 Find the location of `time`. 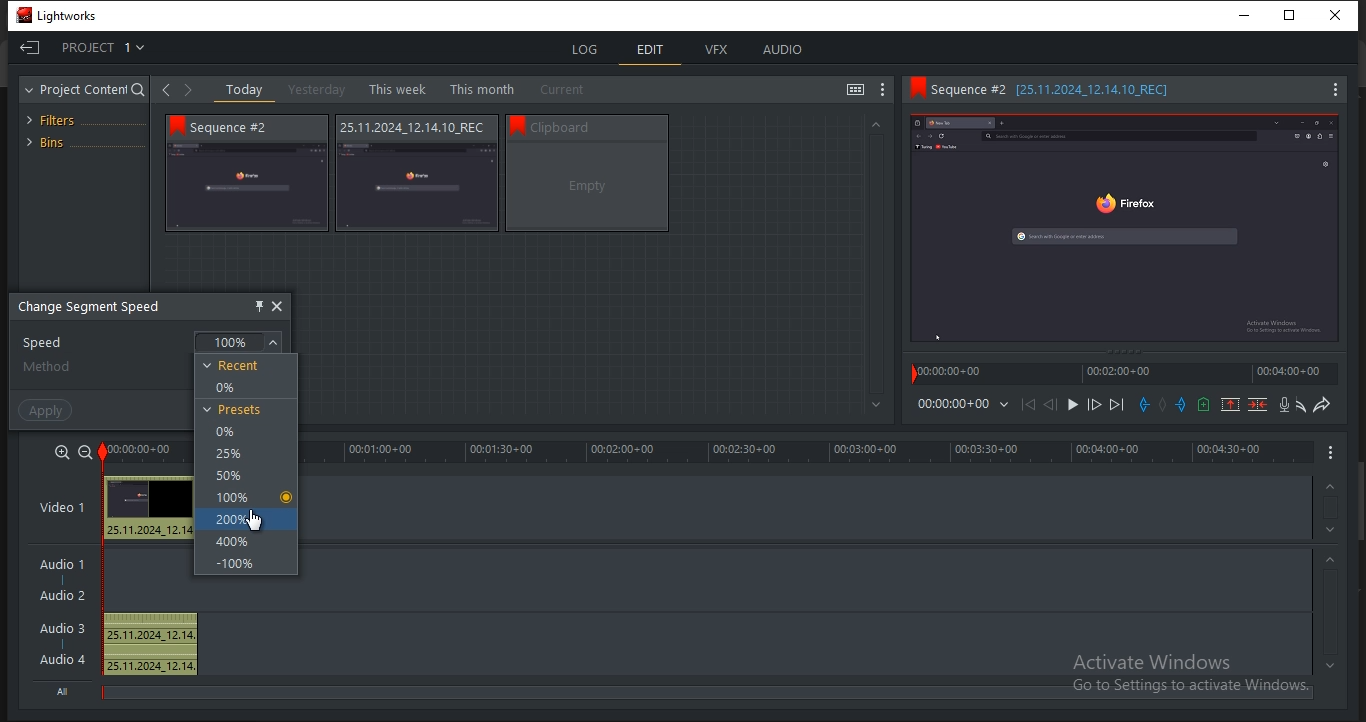

time is located at coordinates (952, 404).